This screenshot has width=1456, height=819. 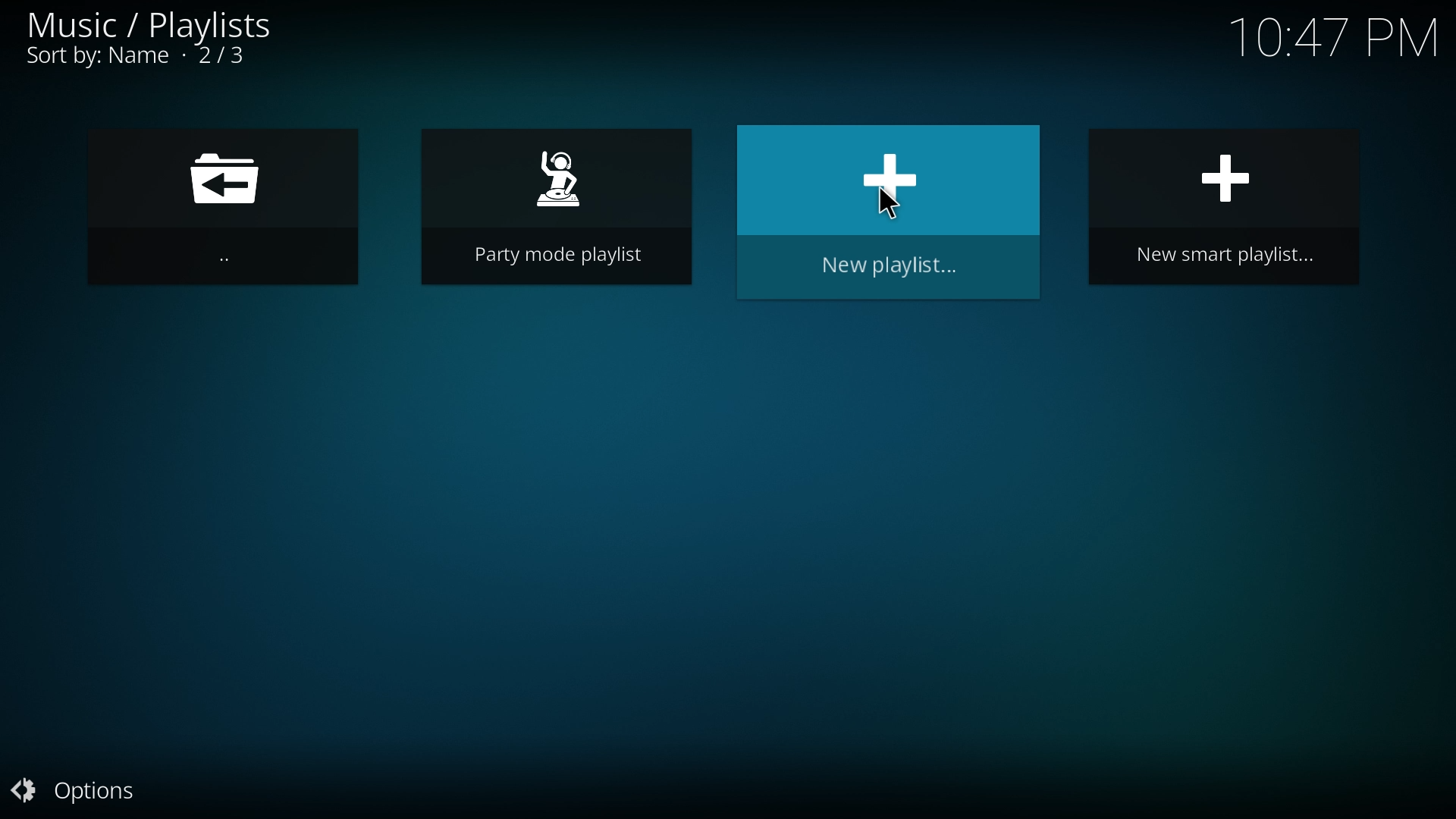 I want to click on music/playlists, so click(x=162, y=37).